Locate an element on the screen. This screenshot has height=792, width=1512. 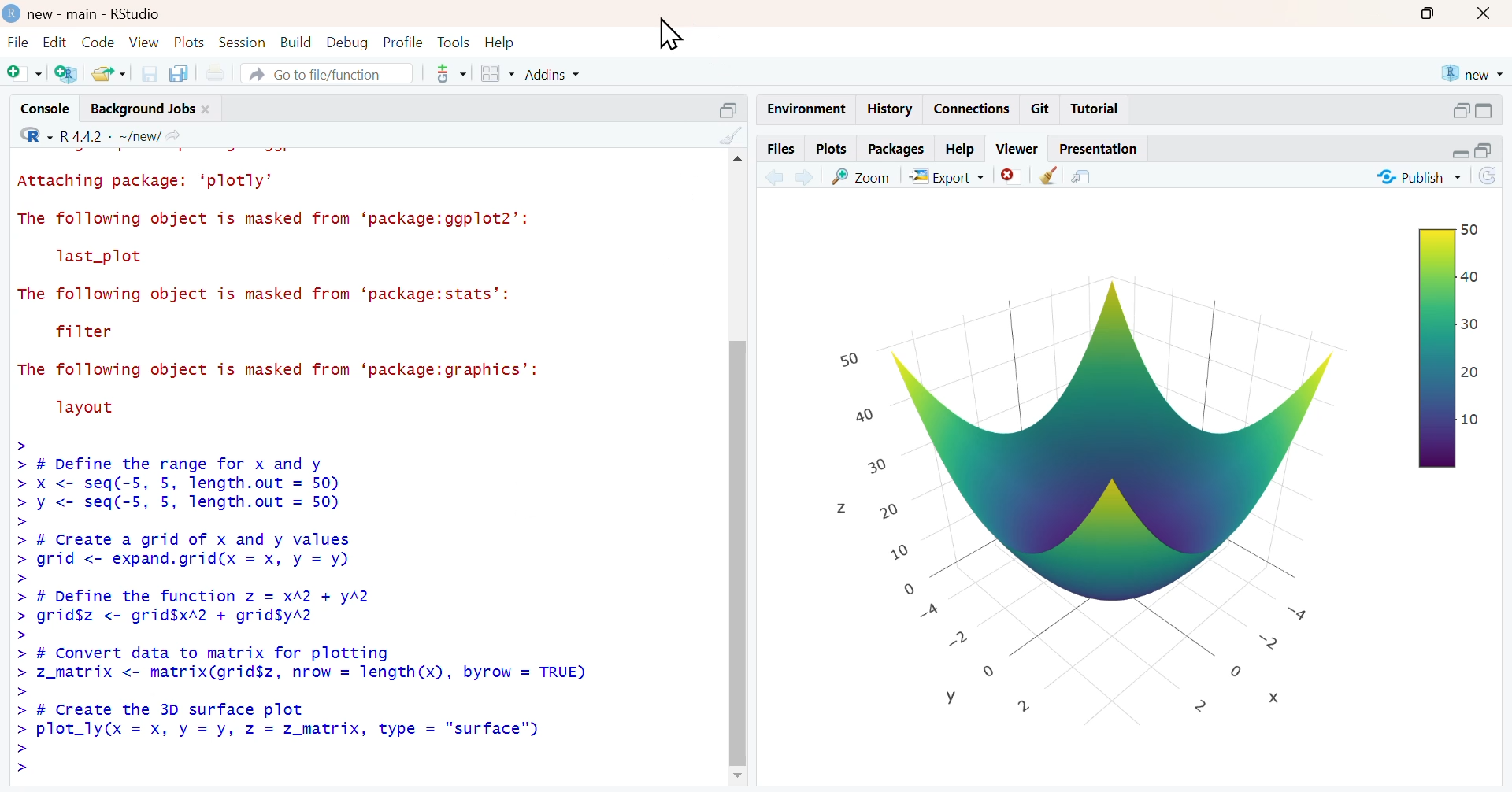
prompt cursor is located at coordinates (24, 634).